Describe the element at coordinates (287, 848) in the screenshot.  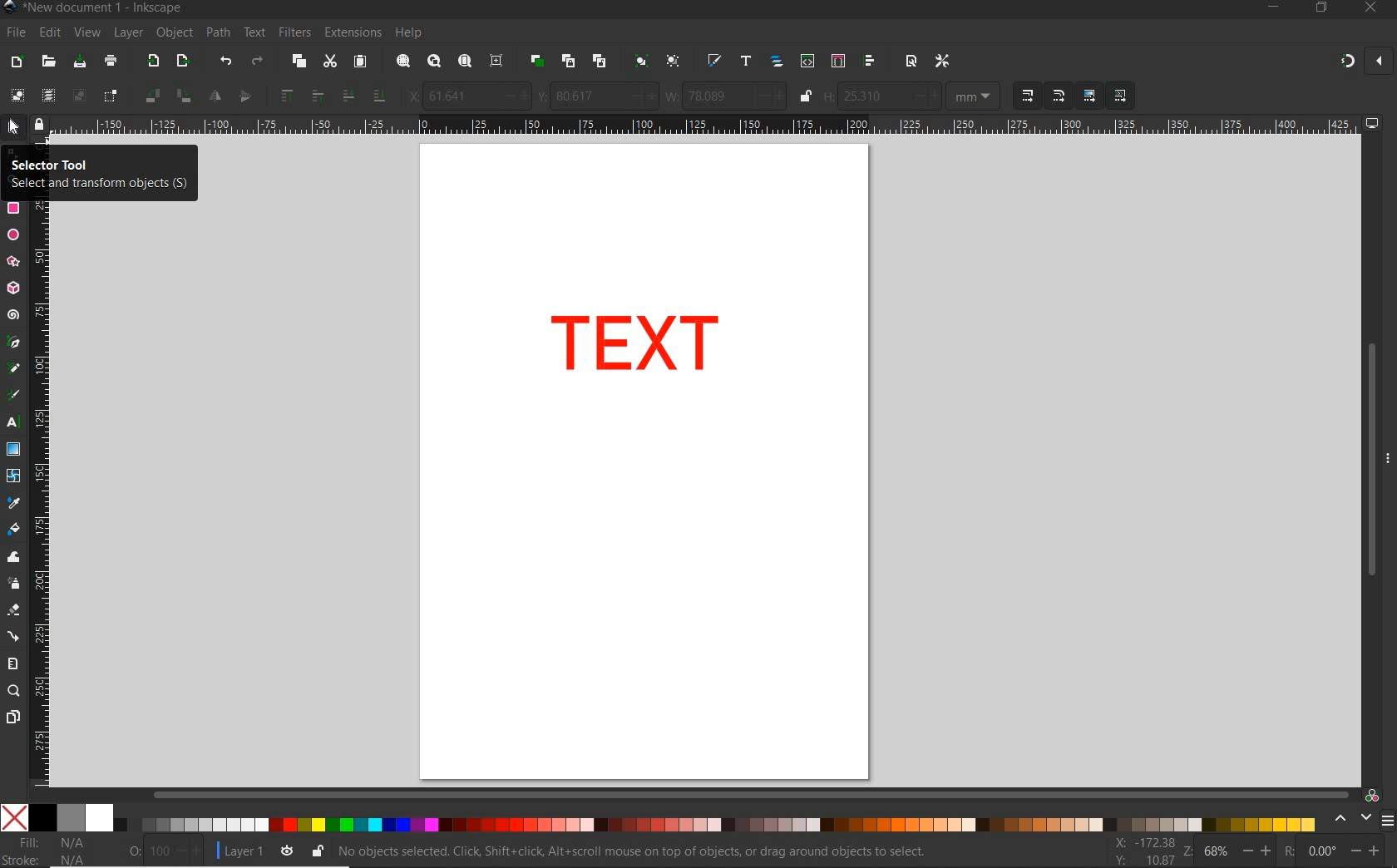
I see `toggle current layer visibility` at that location.